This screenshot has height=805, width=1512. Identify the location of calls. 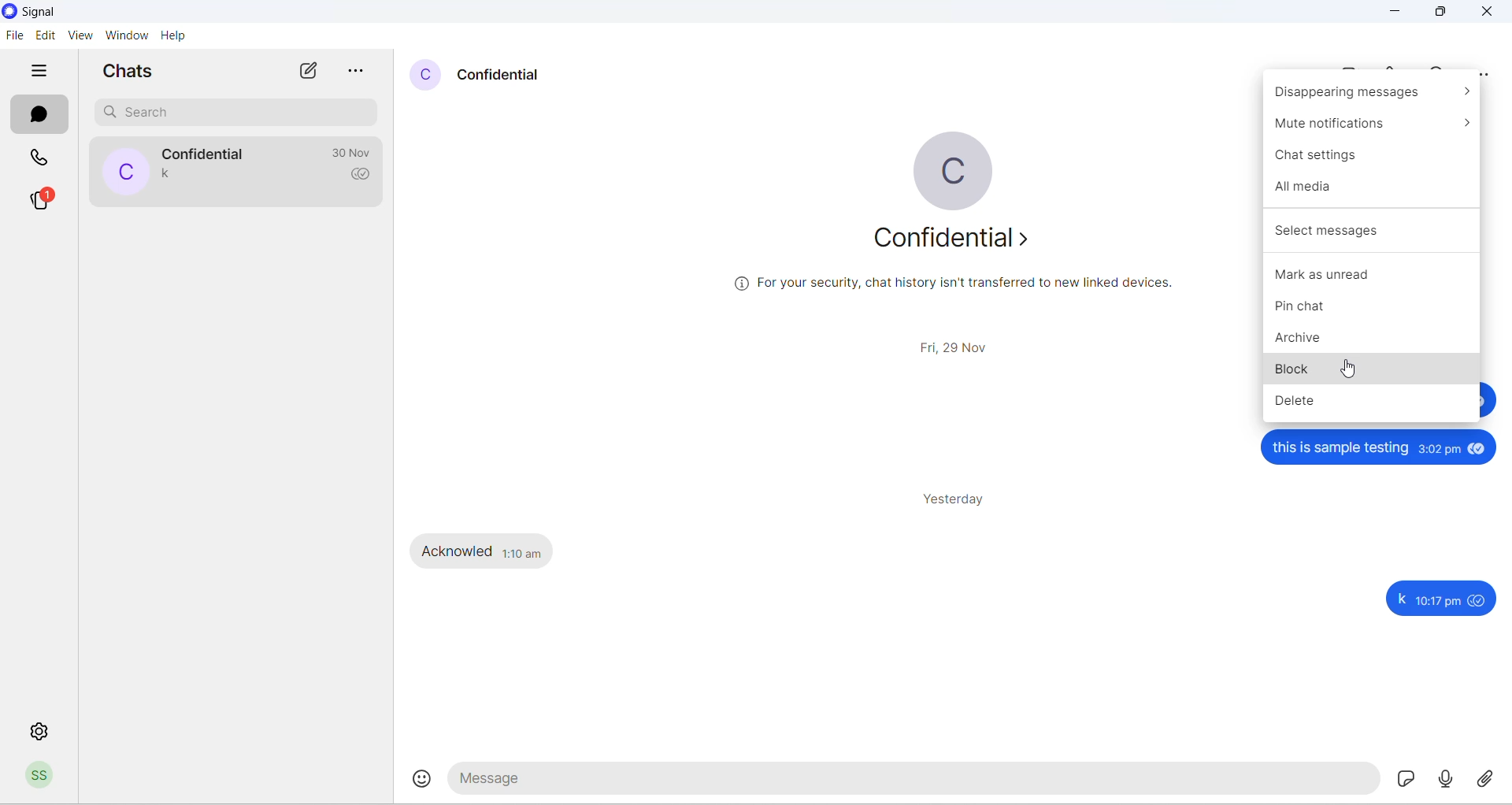
(43, 155).